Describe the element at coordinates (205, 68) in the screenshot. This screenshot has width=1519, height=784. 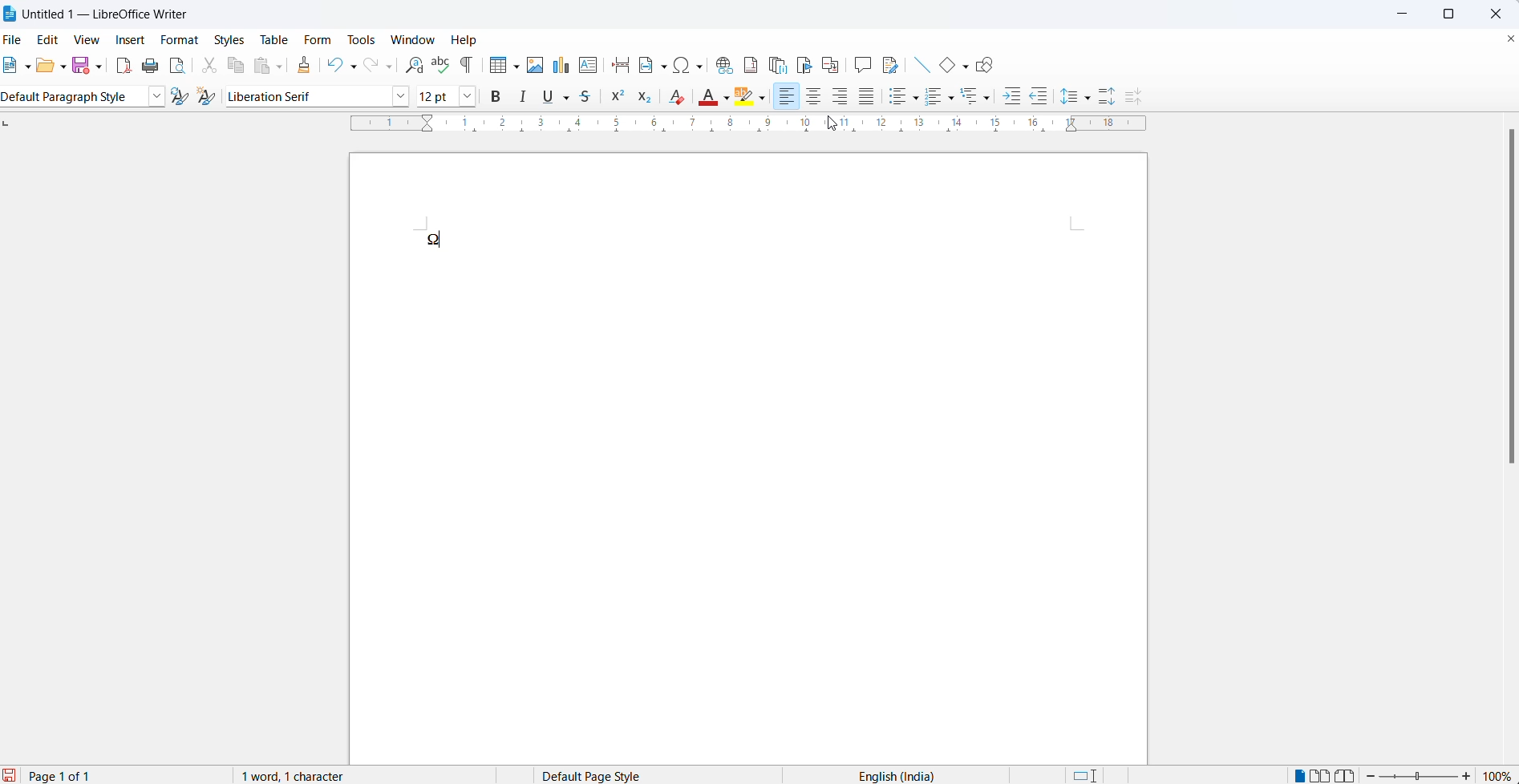
I see `cut` at that location.